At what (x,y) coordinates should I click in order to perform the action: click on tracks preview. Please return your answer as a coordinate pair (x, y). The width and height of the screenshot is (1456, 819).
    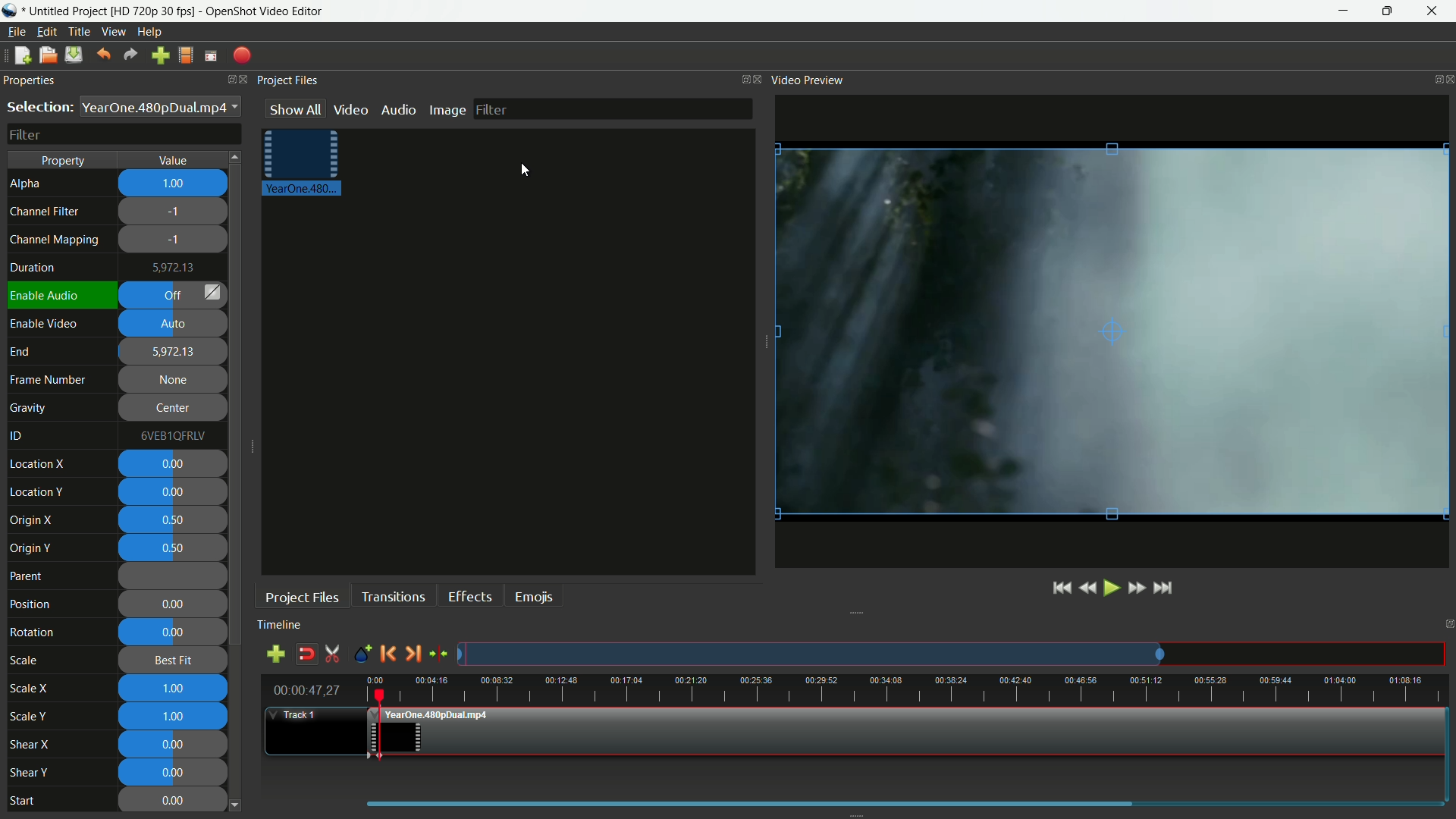
    Looking at the image, I should click on (956, 652).